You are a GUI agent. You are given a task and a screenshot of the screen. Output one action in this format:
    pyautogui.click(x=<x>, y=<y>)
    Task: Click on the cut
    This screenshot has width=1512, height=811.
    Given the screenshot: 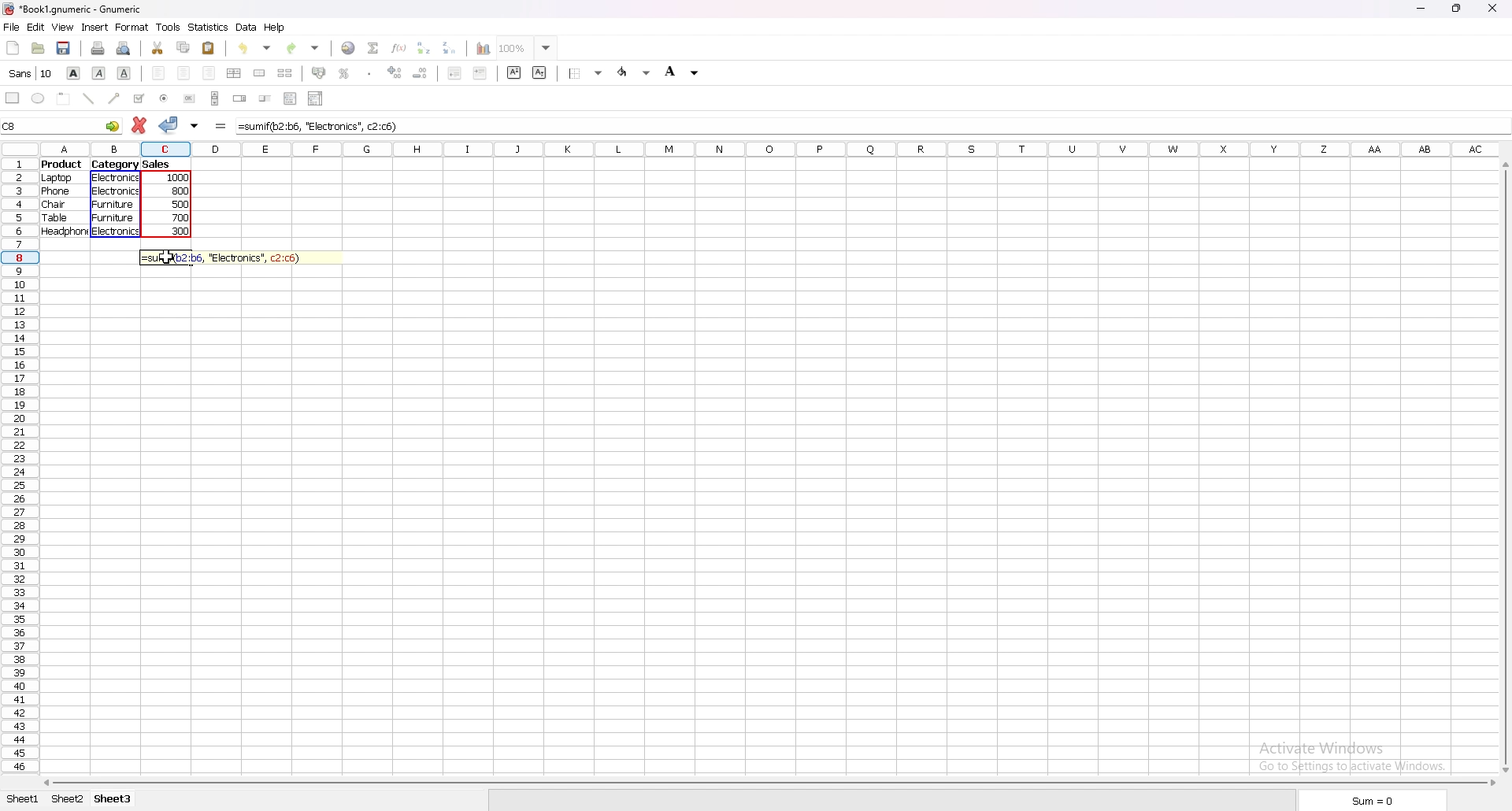 What is the action you would take?
    pyautogui.click(x=159, y=48)
    